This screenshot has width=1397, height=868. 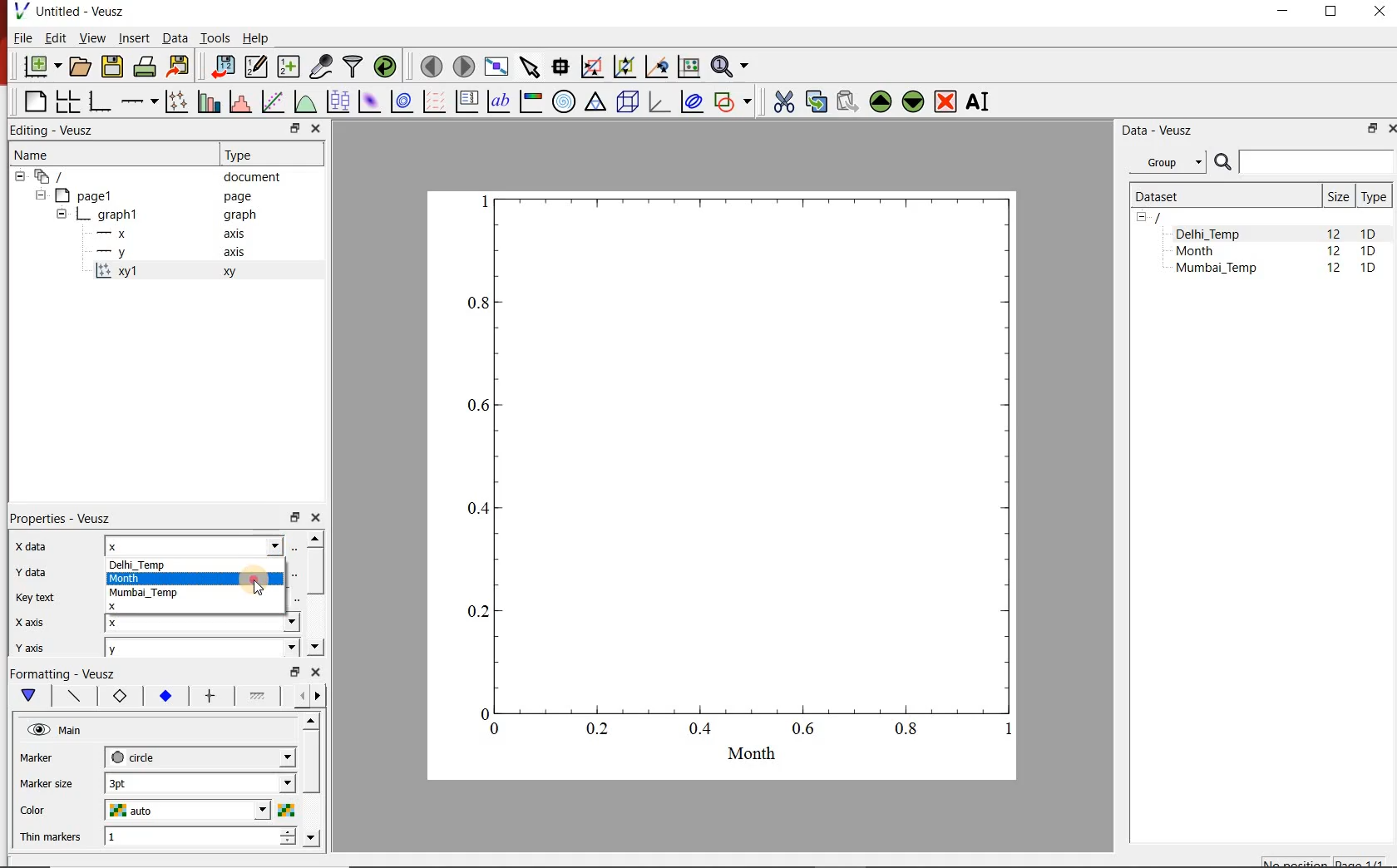 What do you see at coordinates (255, 67) in the screenshot?
I see `edit and enter new datasets` at bounding box center [255, 67].